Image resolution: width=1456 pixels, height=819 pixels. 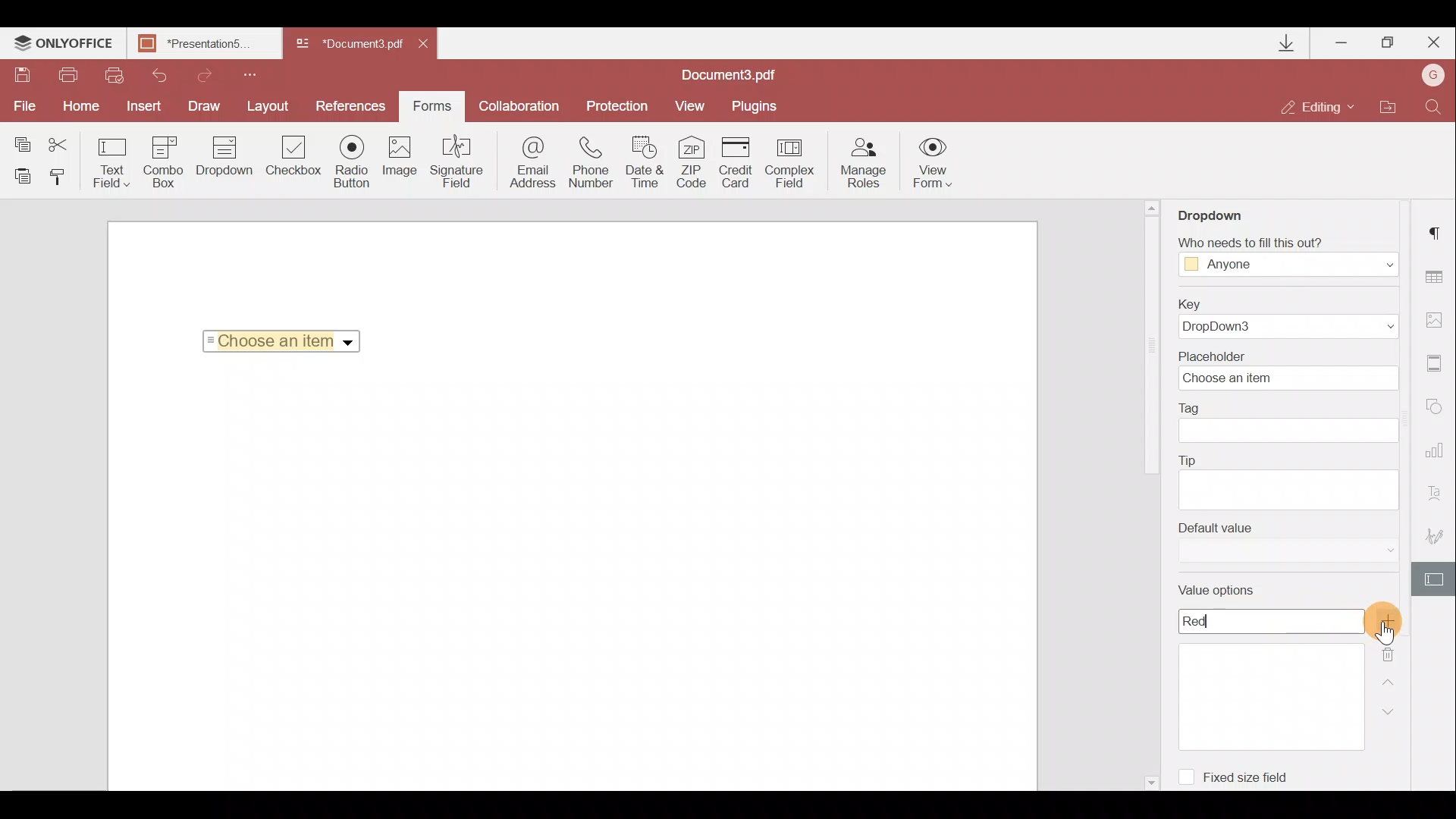 I want to click on Insert, so click(x=147, y=106).